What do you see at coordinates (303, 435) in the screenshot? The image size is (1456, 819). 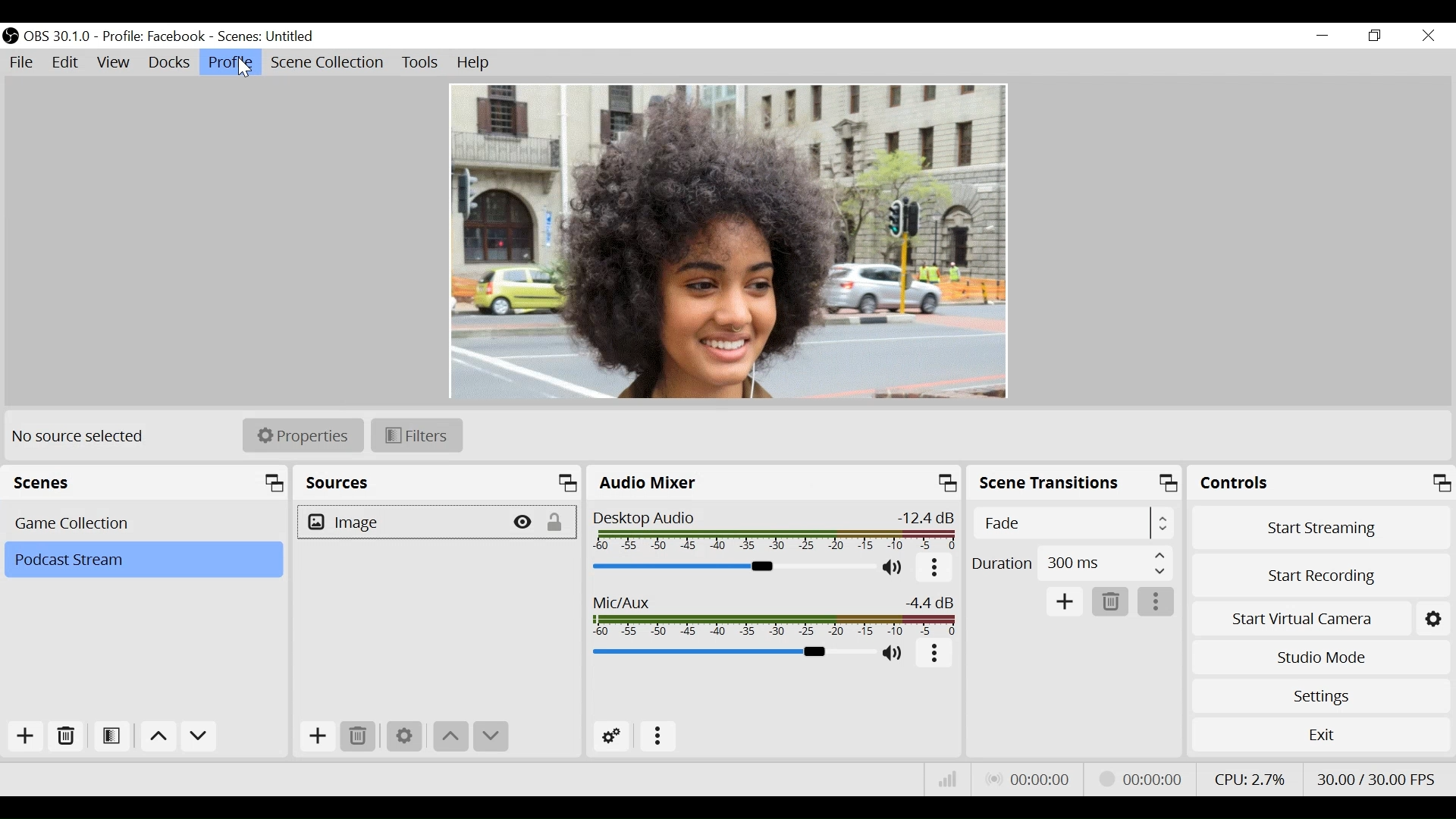 I see `Properties` at bounding box center [303, 435].